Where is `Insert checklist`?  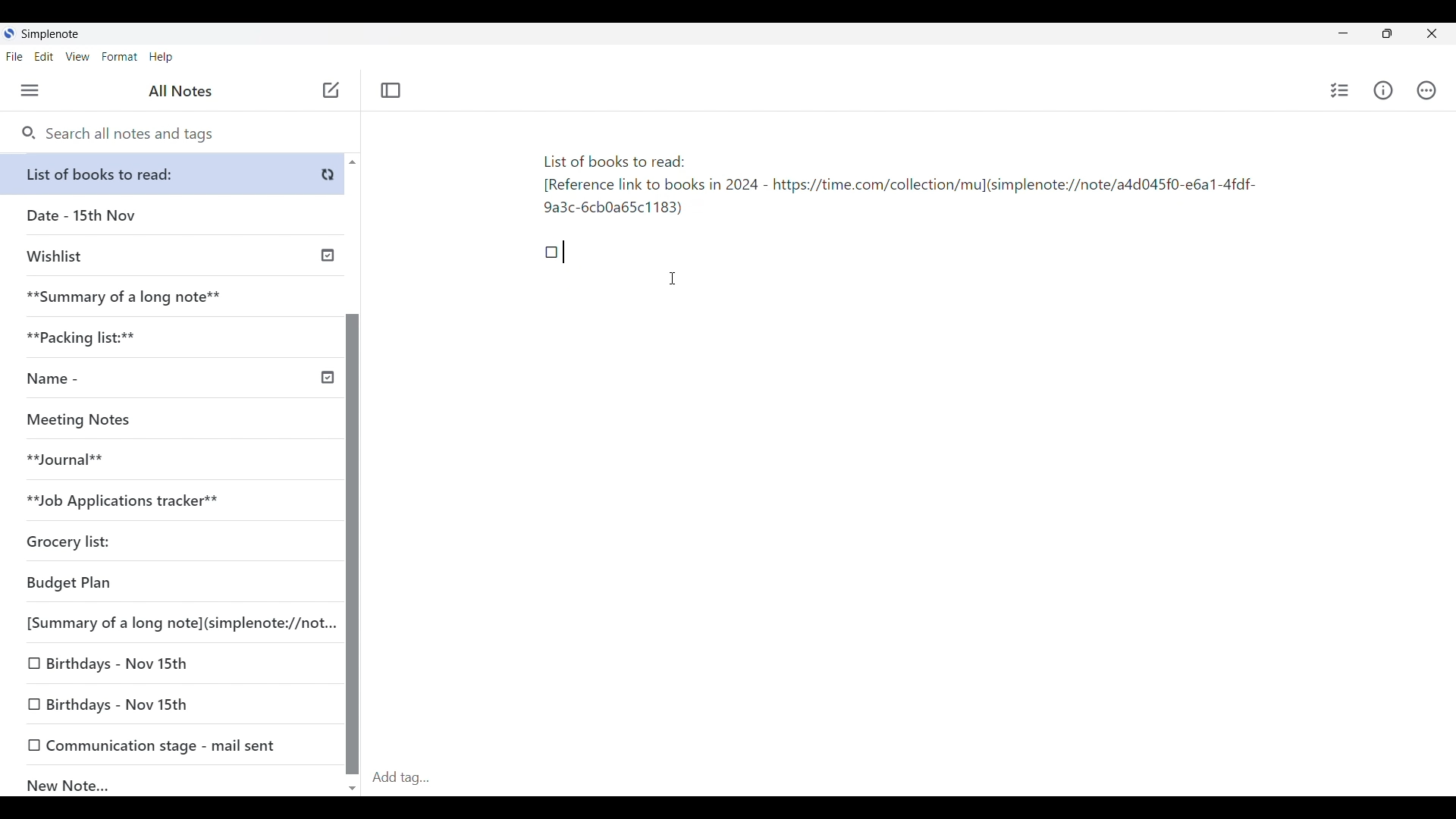 Insert checklist is located at coordinates (1340, 90).